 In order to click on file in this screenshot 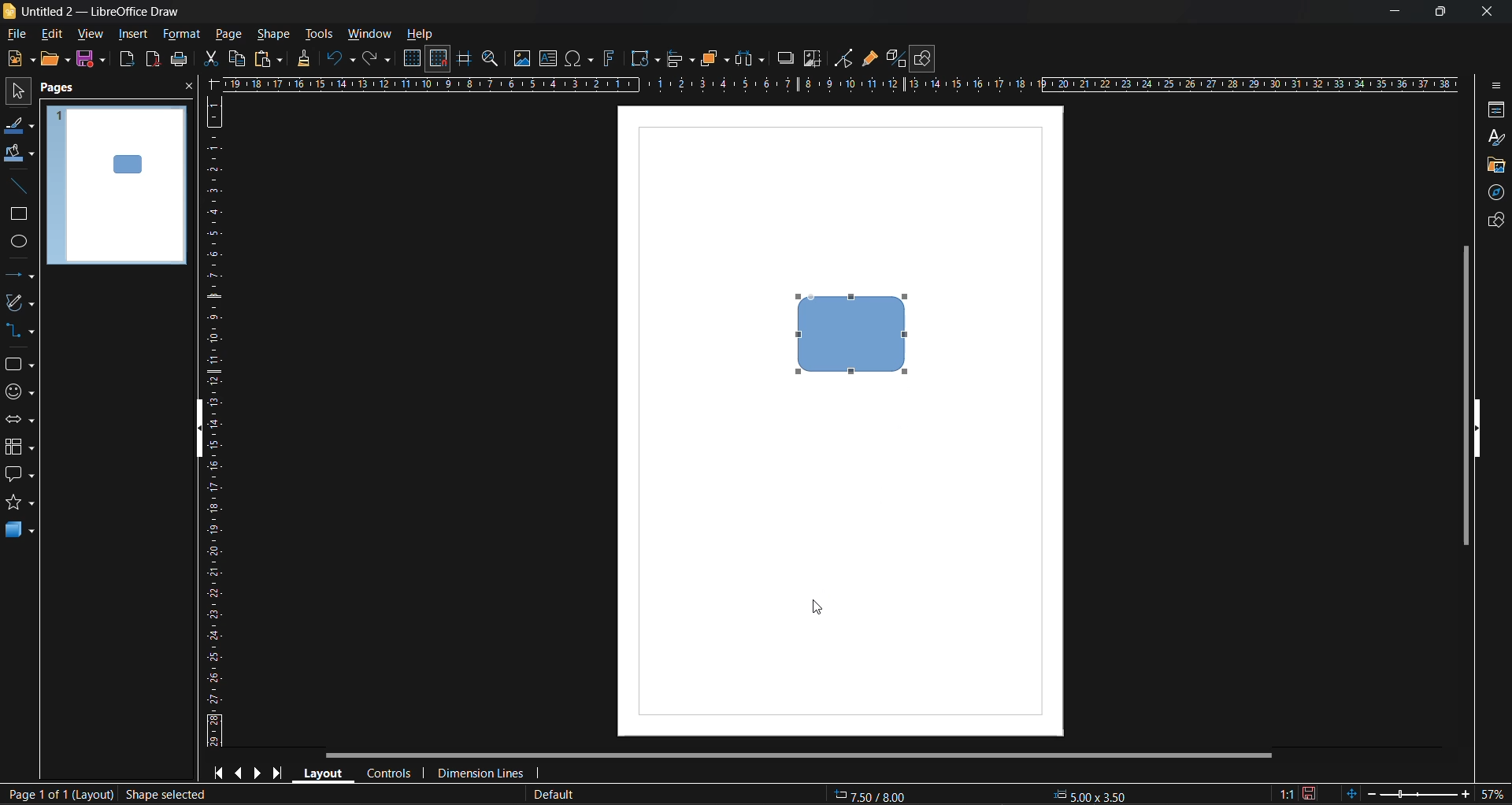, I will do `click(19, 35)`.